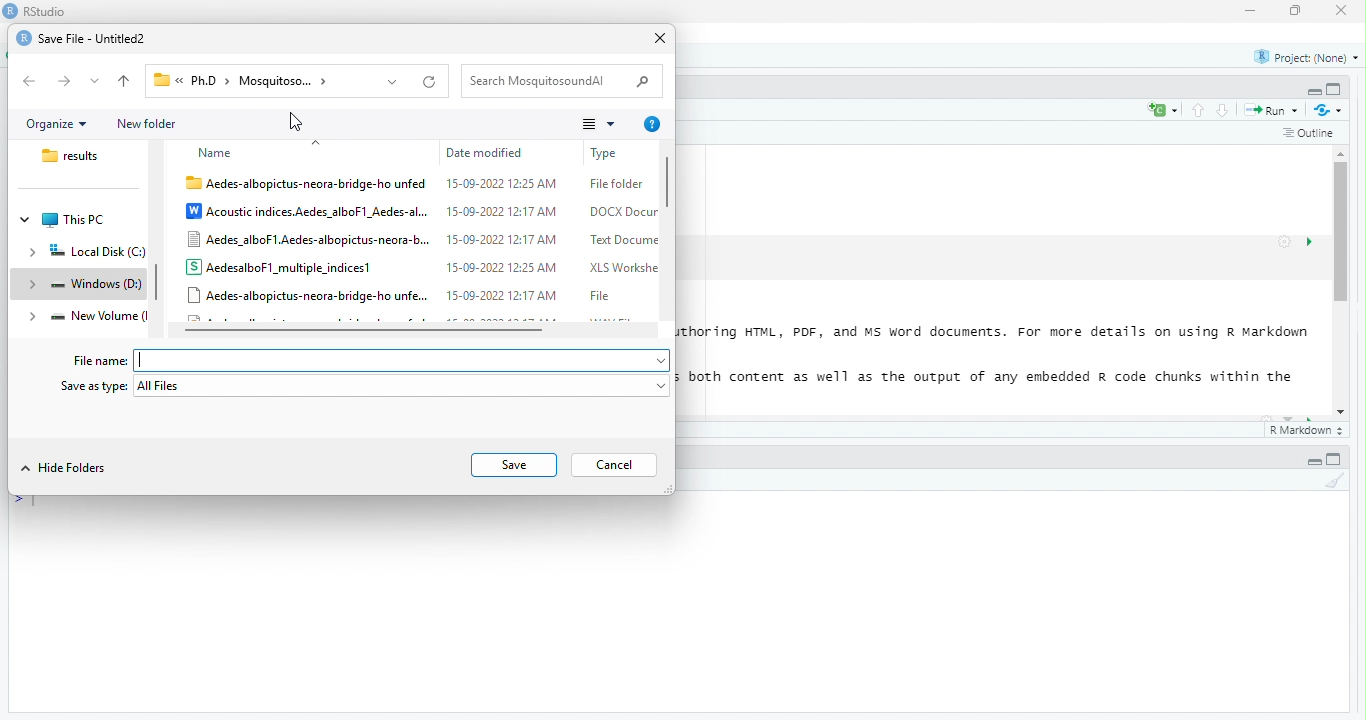 The image size is (1366, 720). I want to click on Project: (None), so click(1307, 58).